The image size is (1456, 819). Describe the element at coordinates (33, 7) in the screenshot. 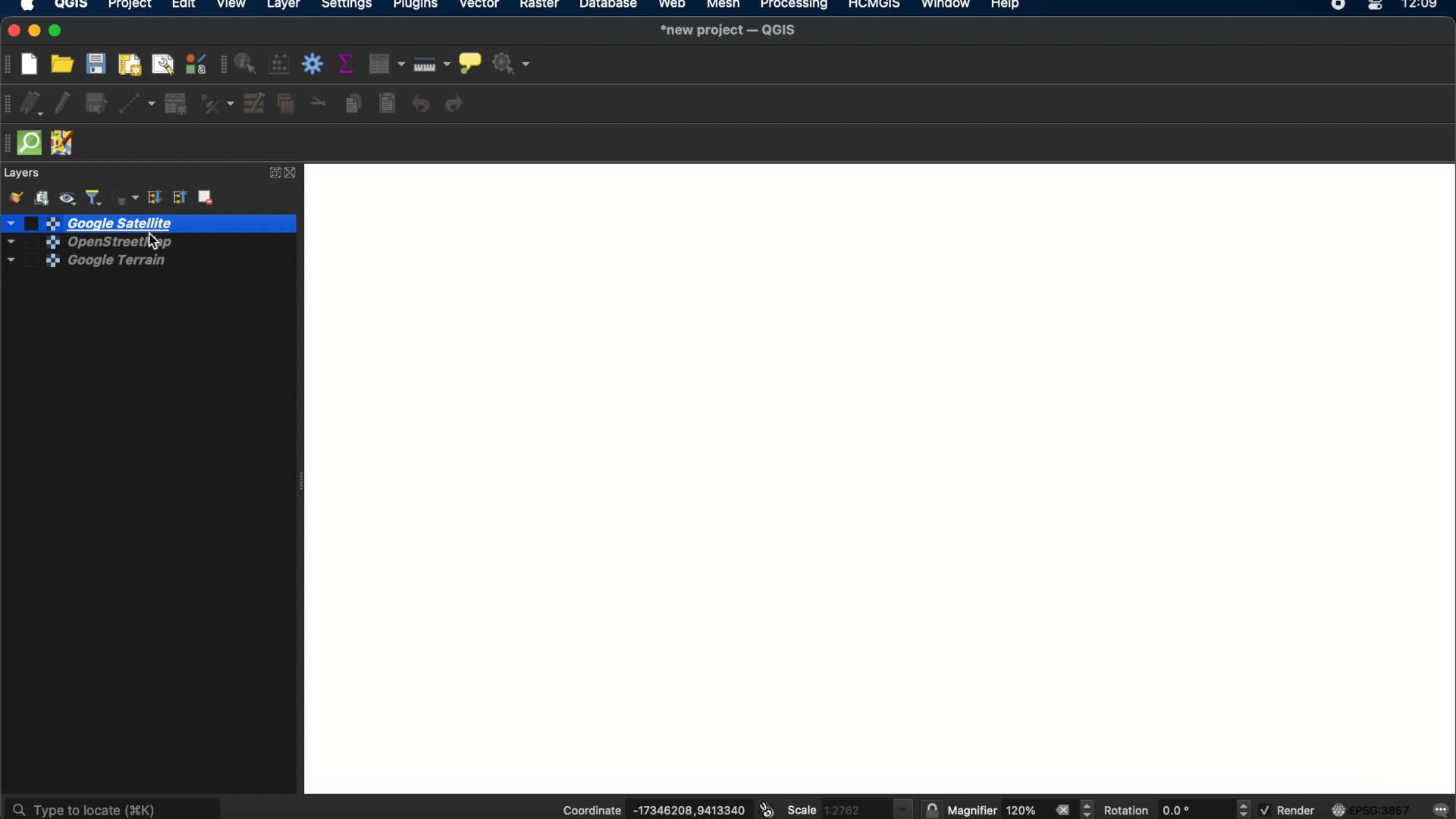

I see `apple icon` at that location.